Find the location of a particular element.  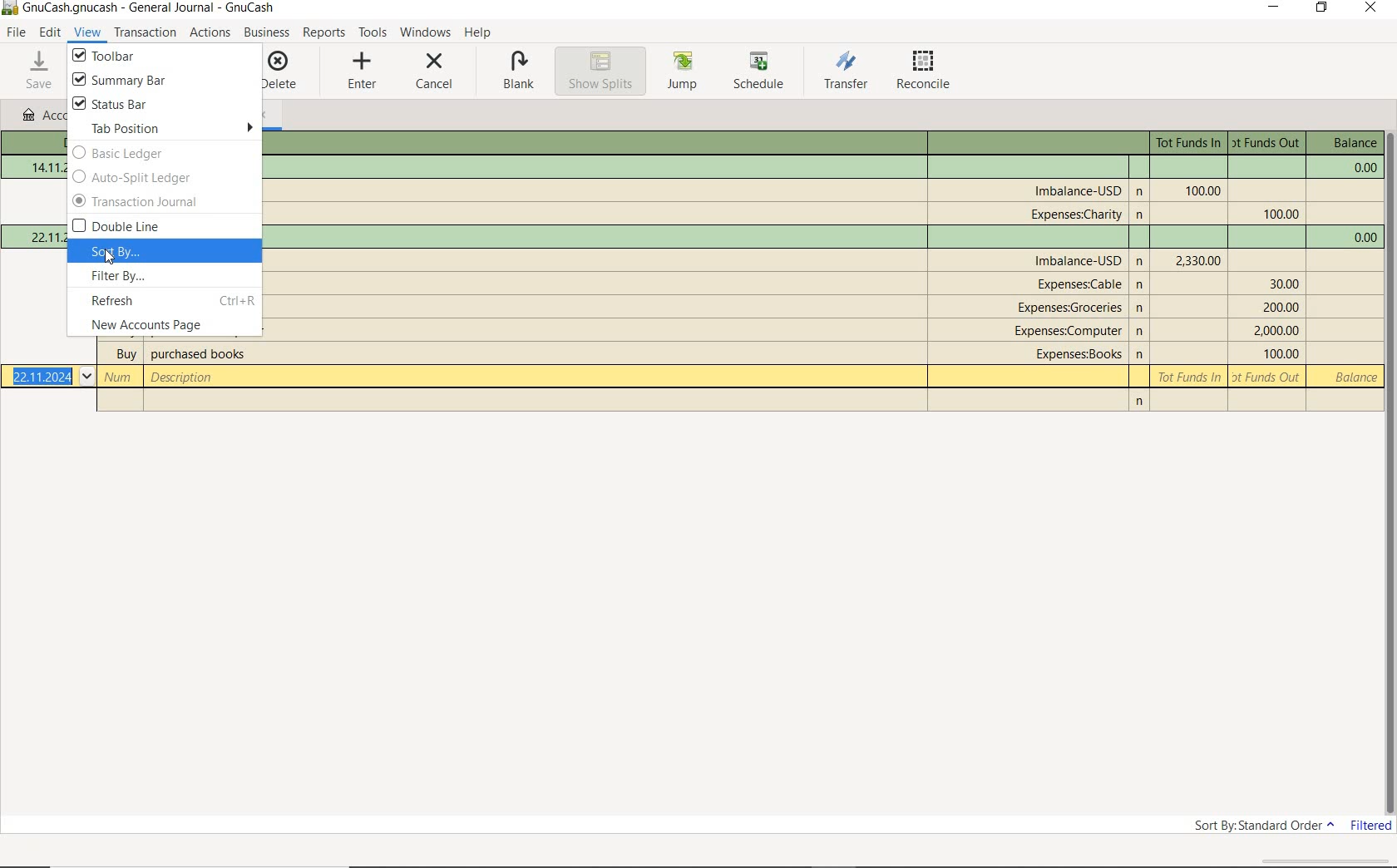

n is located at coordinates (1141, 190).